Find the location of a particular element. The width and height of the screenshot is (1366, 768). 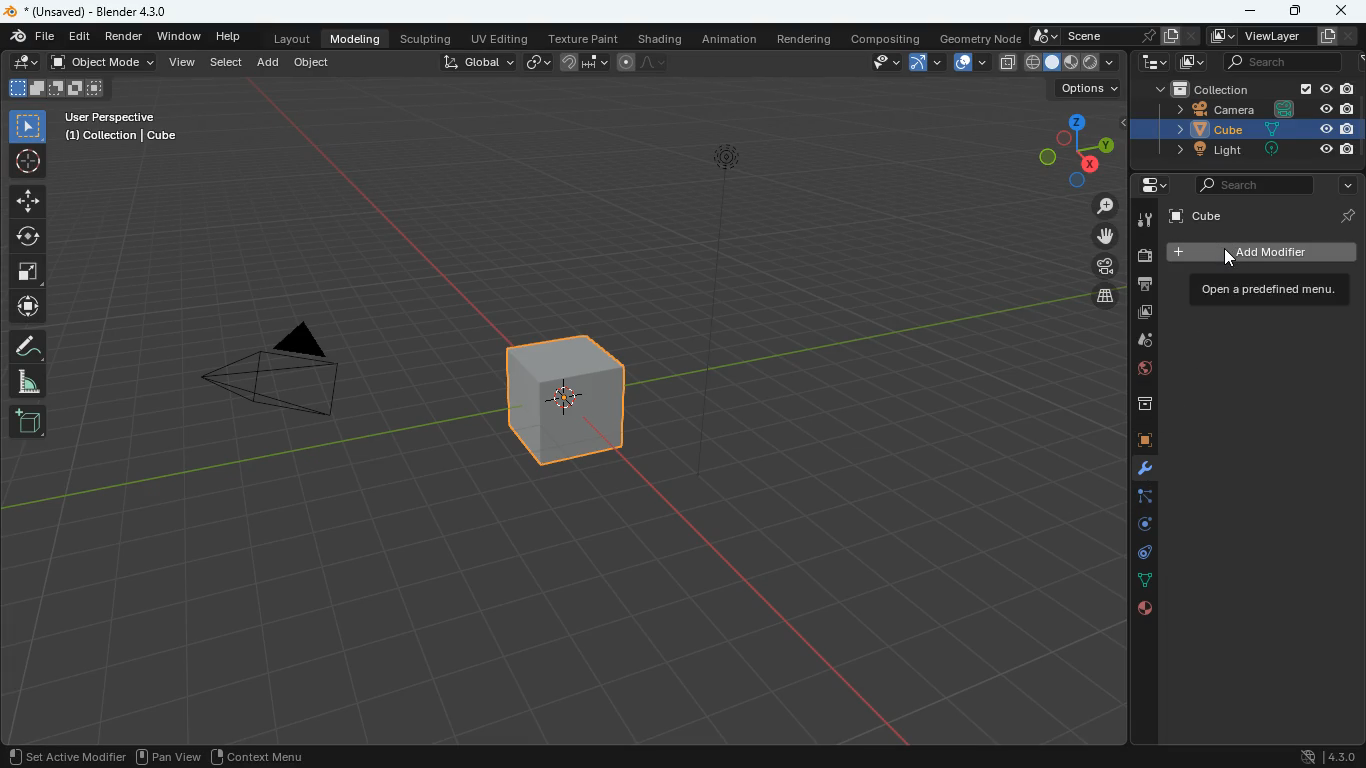

cube is located at coordinates (569, 398).